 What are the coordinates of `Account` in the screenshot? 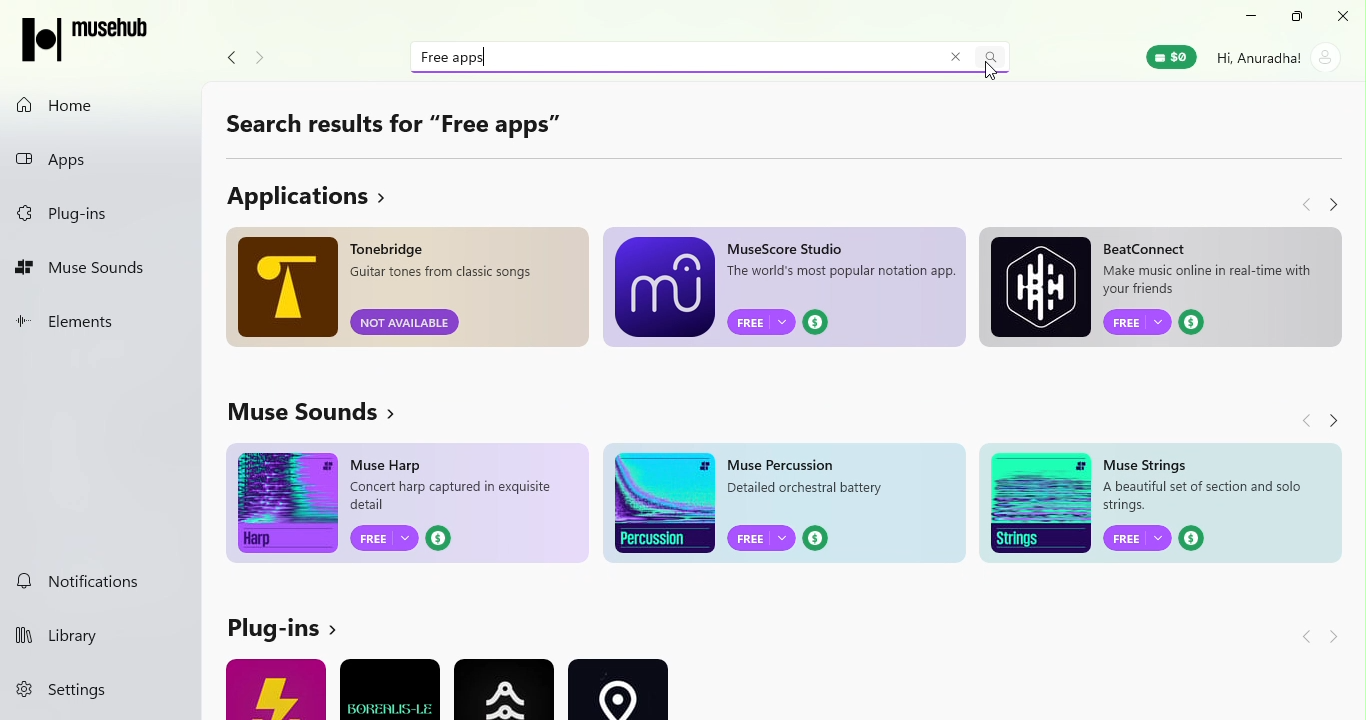 It's located at (1279, 56).